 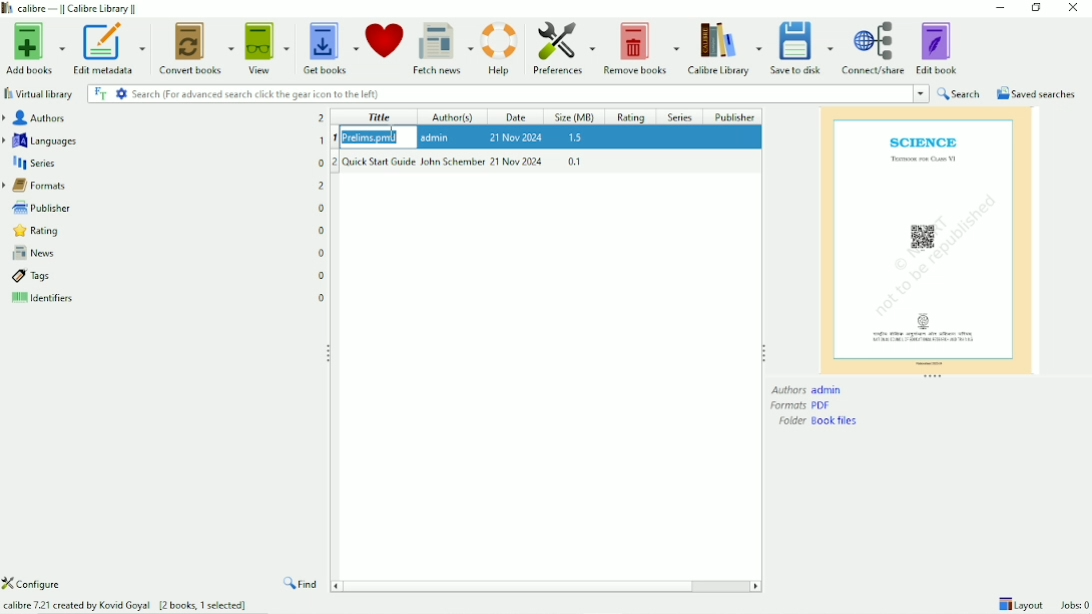 What do you see at coordinates (198, 48) in the screenshot?
I see `Convert books` at bounding box center [198, 48].